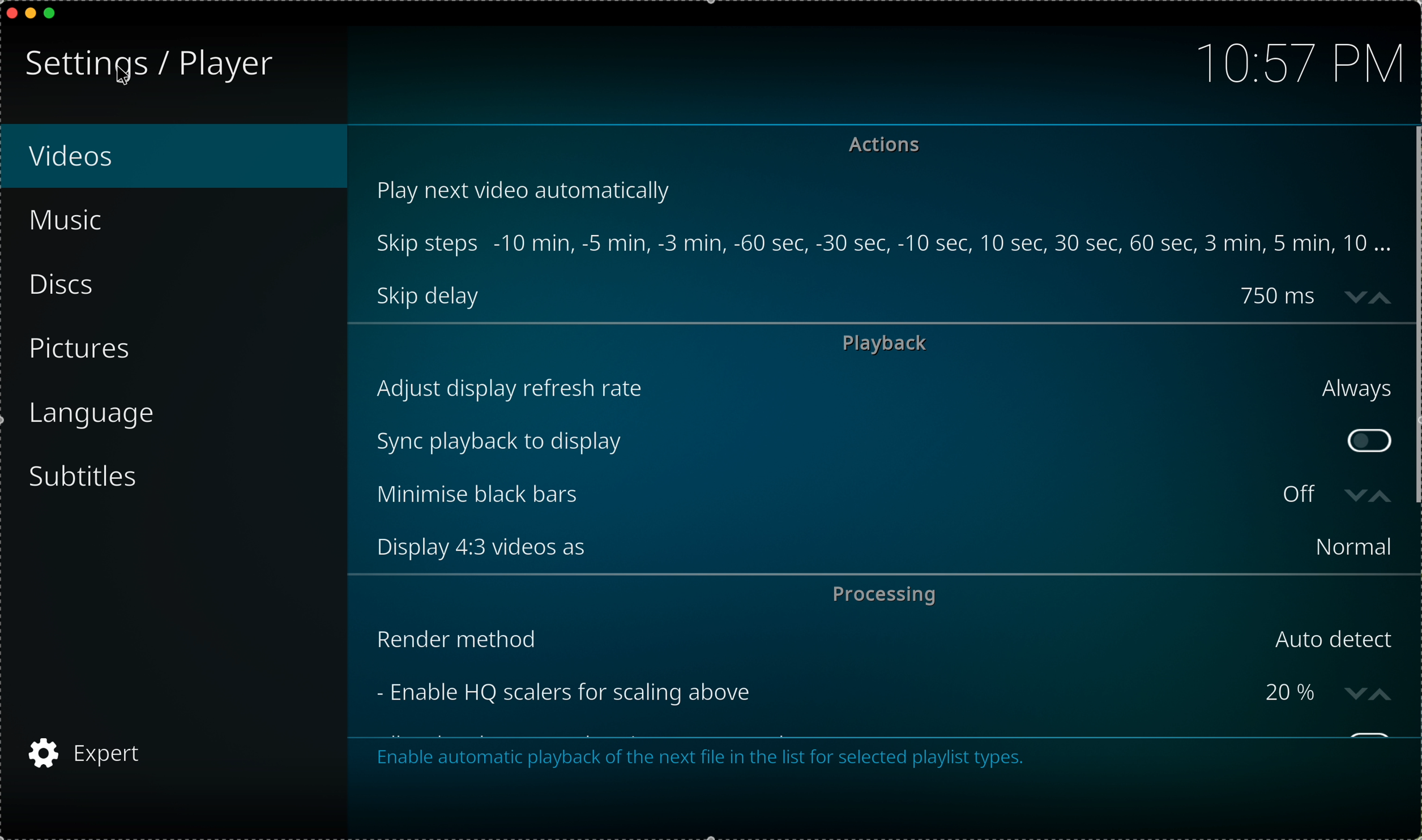  Describe the element at coordinates (55, 14) in the screenshot. I see `maximize ` at that location.